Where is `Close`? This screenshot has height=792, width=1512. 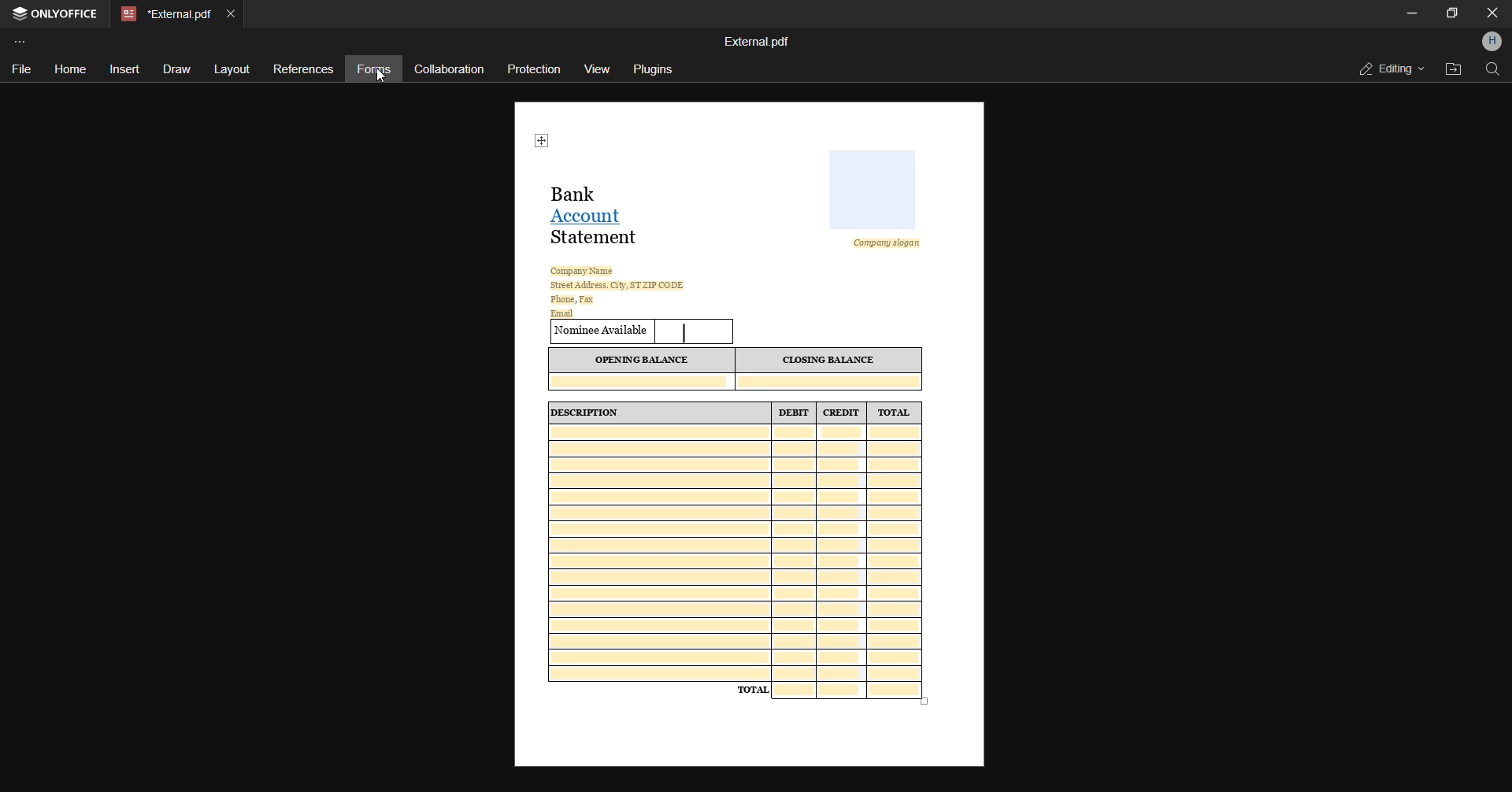
Close is located at coordinates (1491, 13).